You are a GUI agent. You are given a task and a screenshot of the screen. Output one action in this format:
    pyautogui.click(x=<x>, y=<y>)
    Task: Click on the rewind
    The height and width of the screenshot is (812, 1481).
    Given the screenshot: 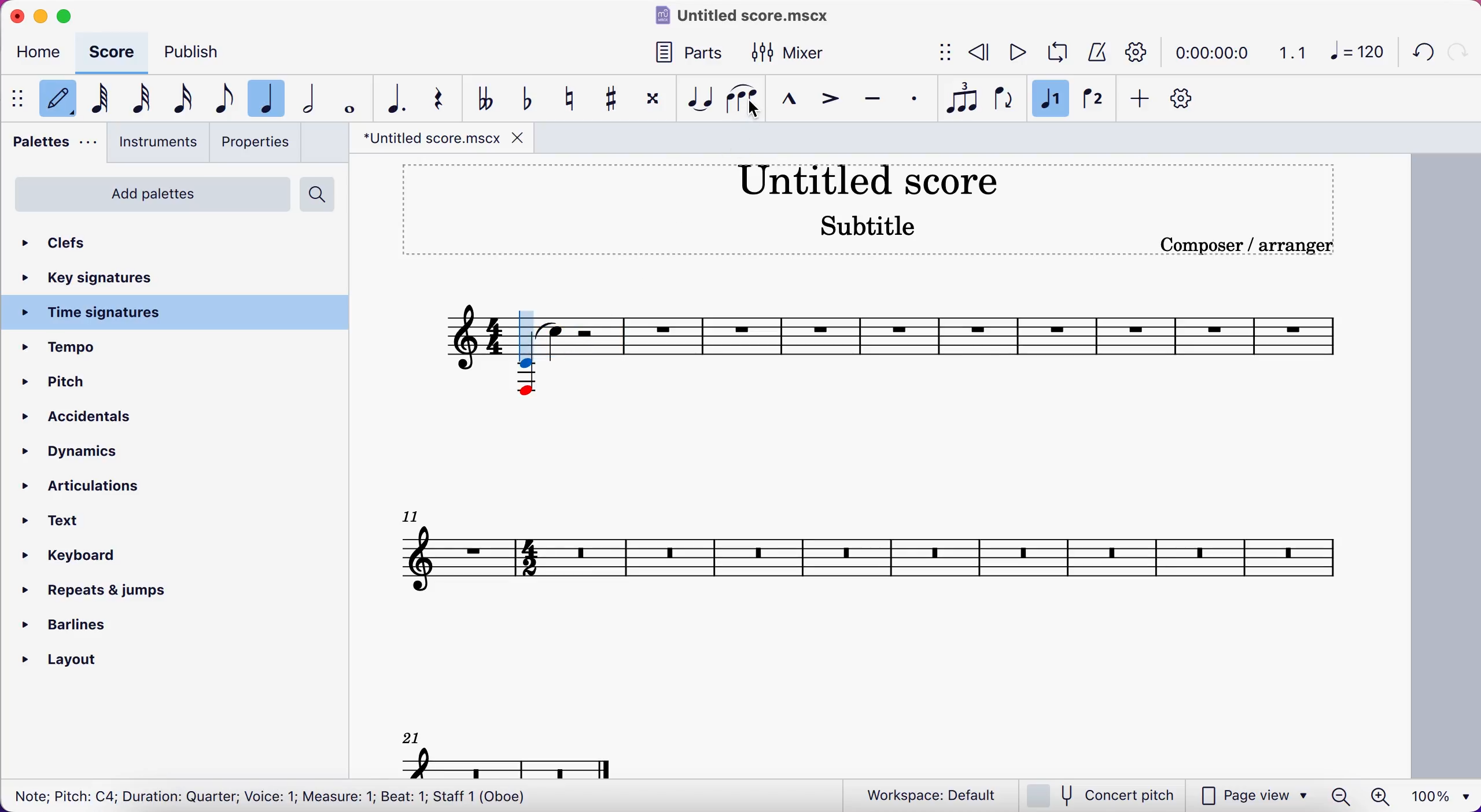 What is the action you would take?
    pyautogui.click(x=975, y=54)
    